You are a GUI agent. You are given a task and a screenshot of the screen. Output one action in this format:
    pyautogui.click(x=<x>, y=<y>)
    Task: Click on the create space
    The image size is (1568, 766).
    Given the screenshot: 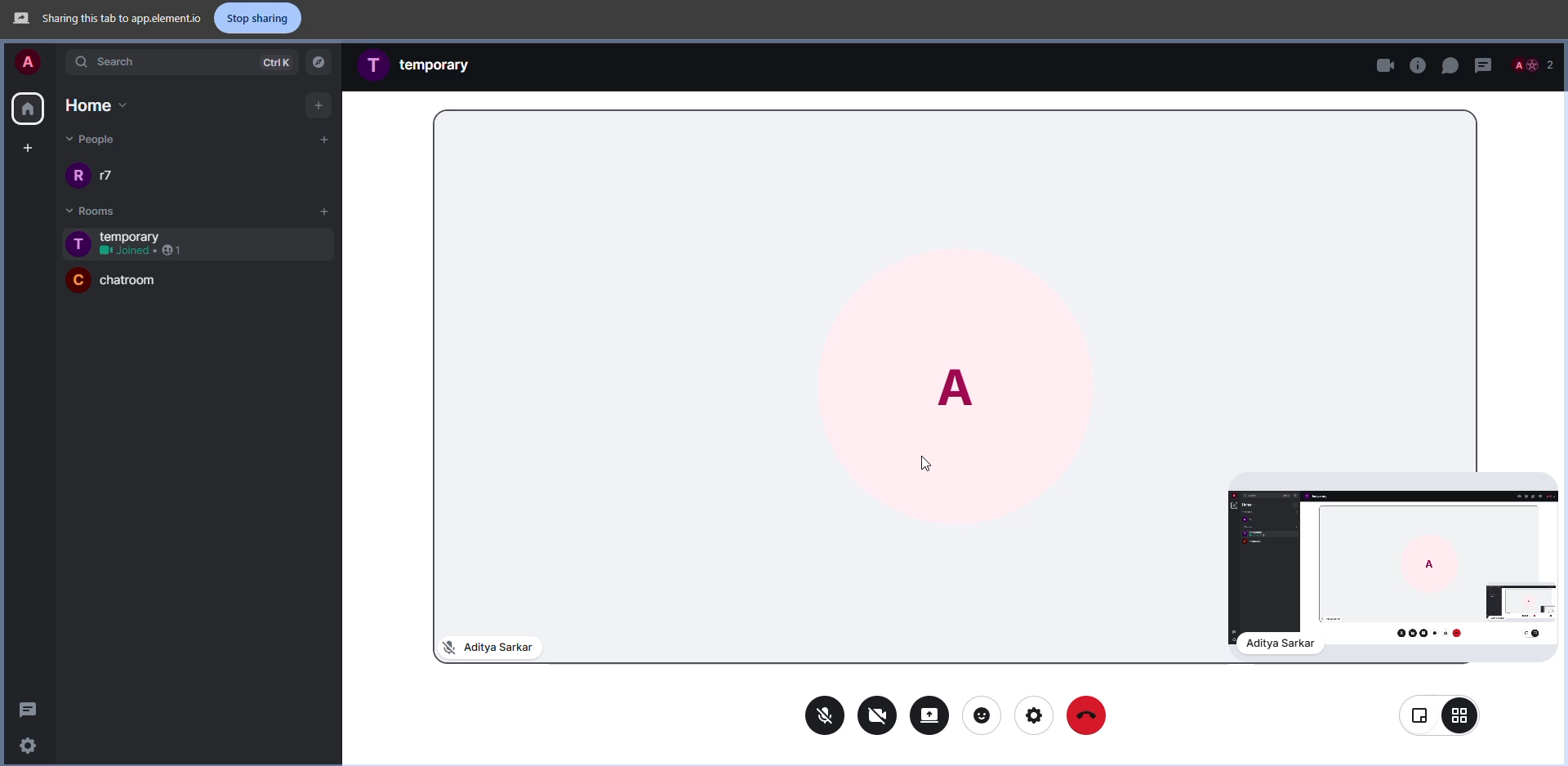 What is the action you would take?
    pyautogui.click(x=31, y=145)
    